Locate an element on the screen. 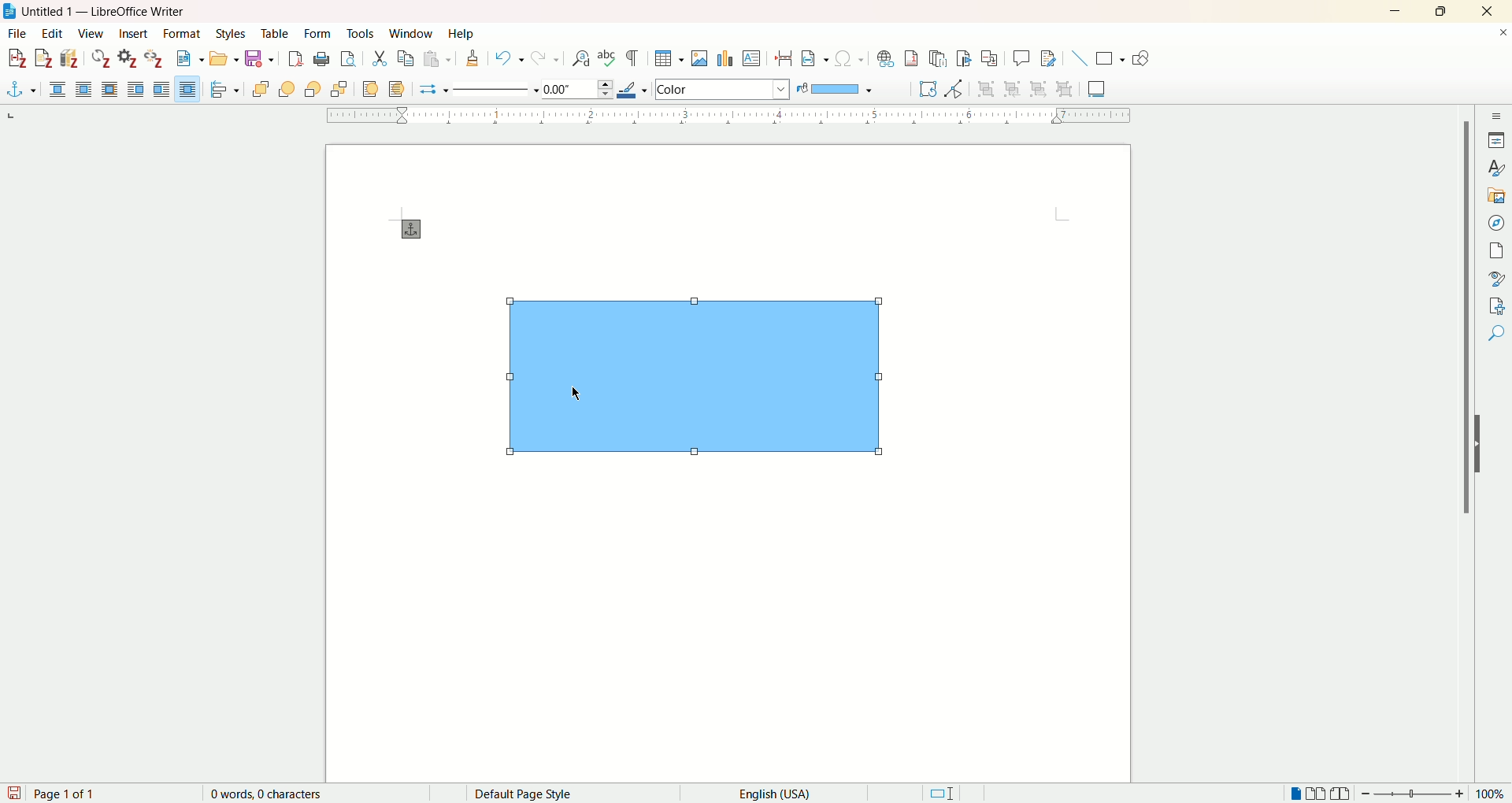 The image size is (1512, 803). line style is located at coordinates (498, 88).